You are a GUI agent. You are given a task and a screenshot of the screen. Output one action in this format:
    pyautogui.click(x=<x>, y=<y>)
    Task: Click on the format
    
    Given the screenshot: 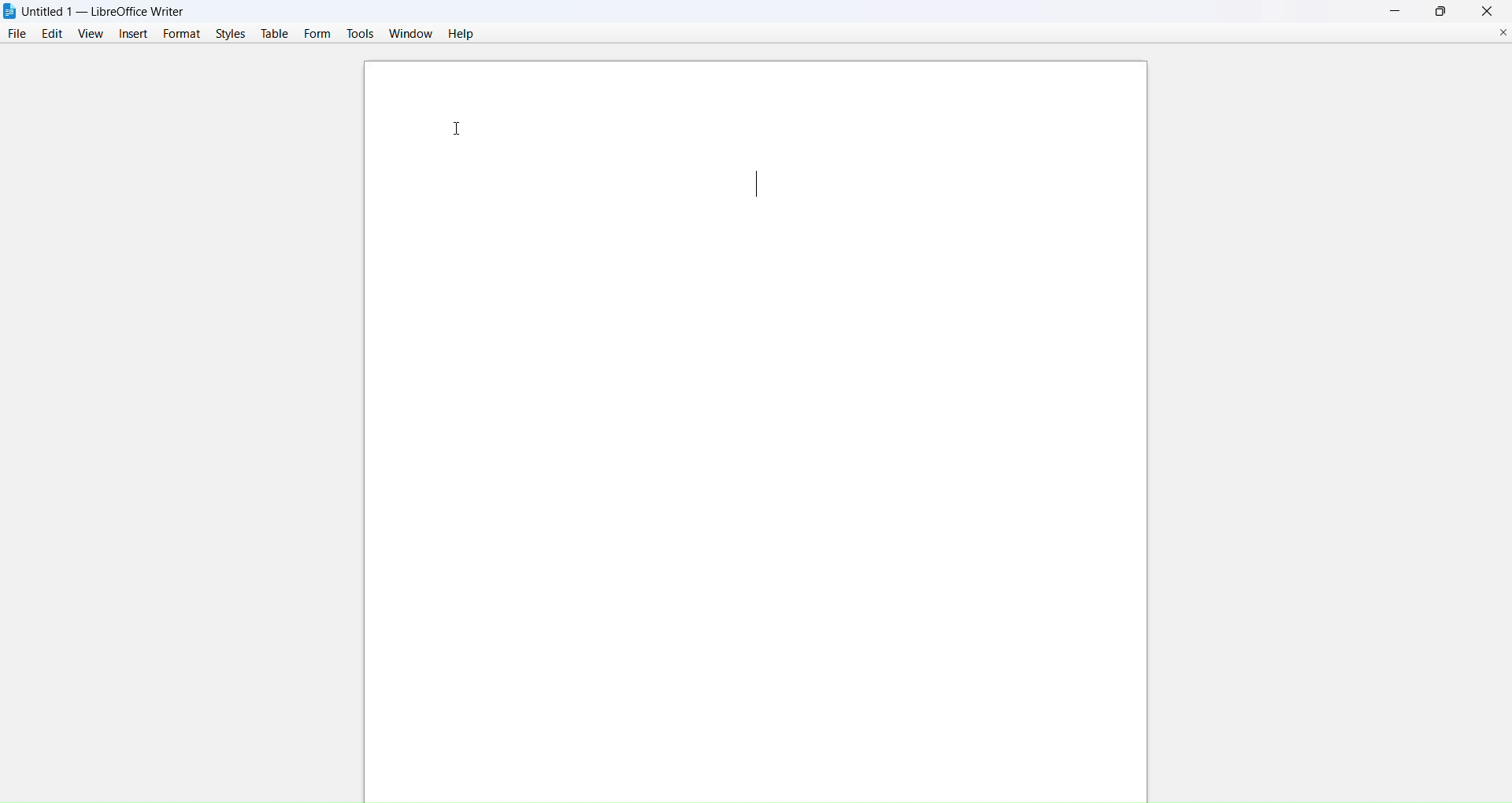 What is the action you would take?
    pyautogui.click(x=184, y=34)
    